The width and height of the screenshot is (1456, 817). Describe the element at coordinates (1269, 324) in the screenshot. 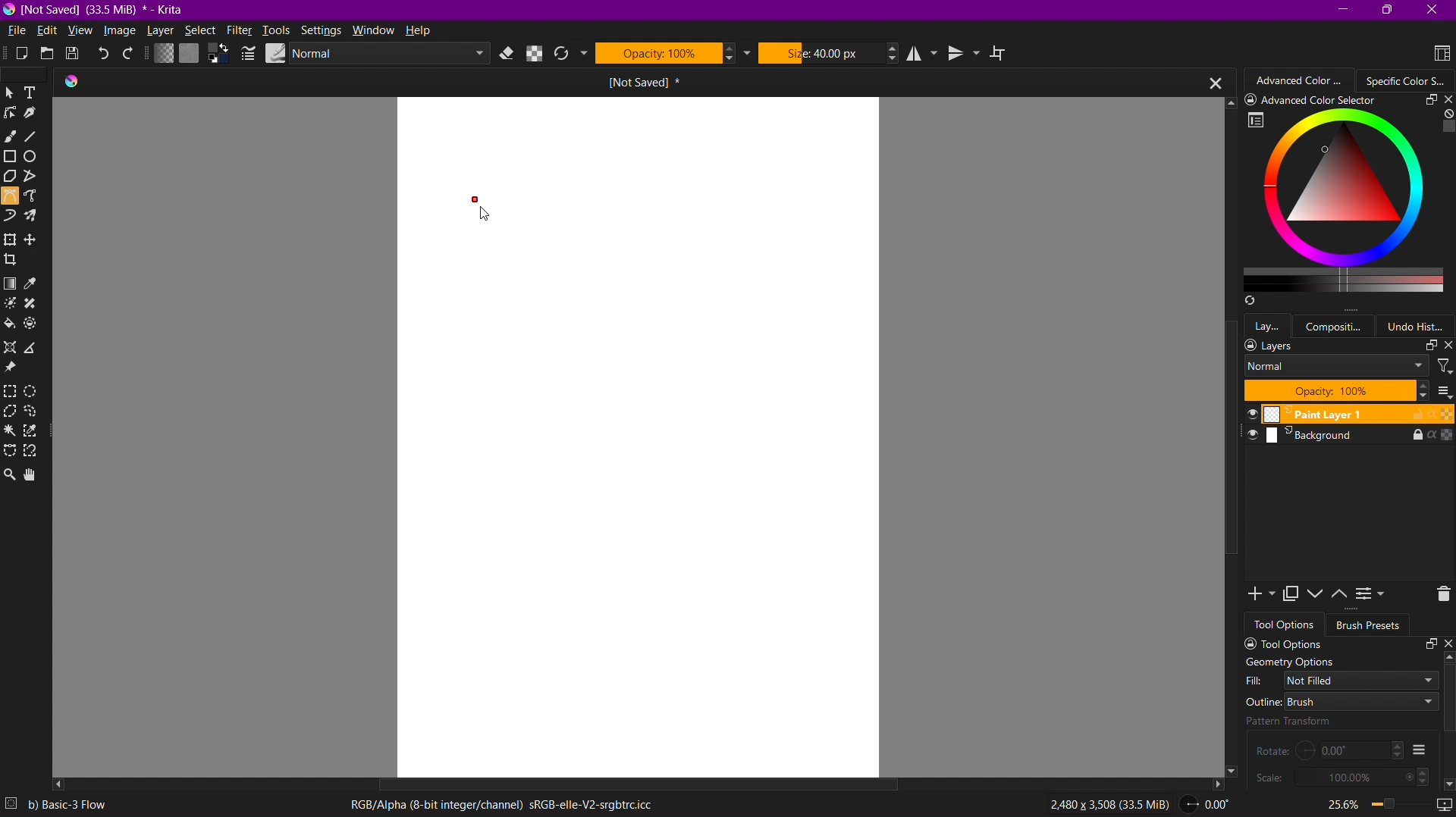

I see `Layers` at that location.